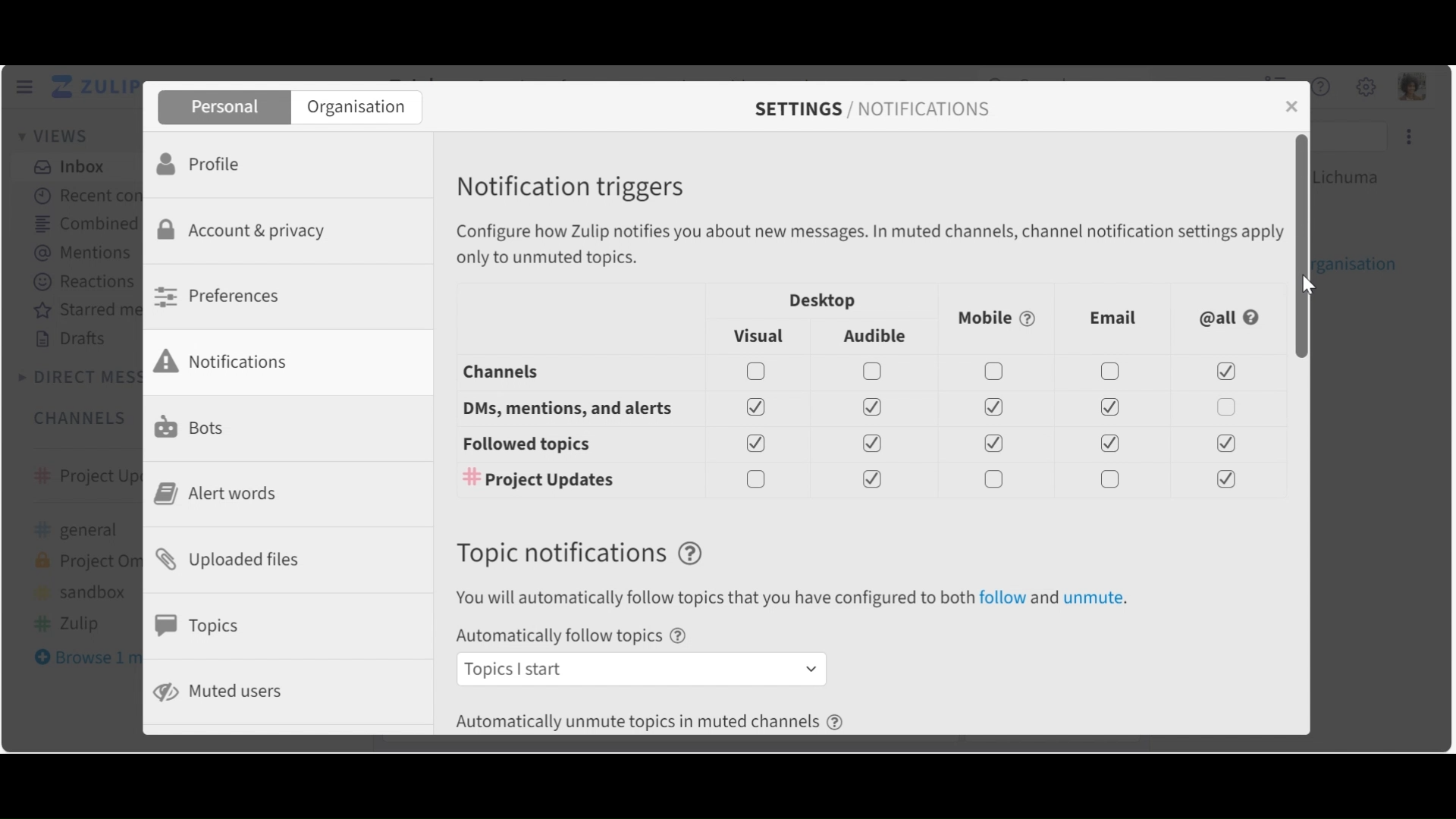  I want to click on Preferences, so click(221, 296).